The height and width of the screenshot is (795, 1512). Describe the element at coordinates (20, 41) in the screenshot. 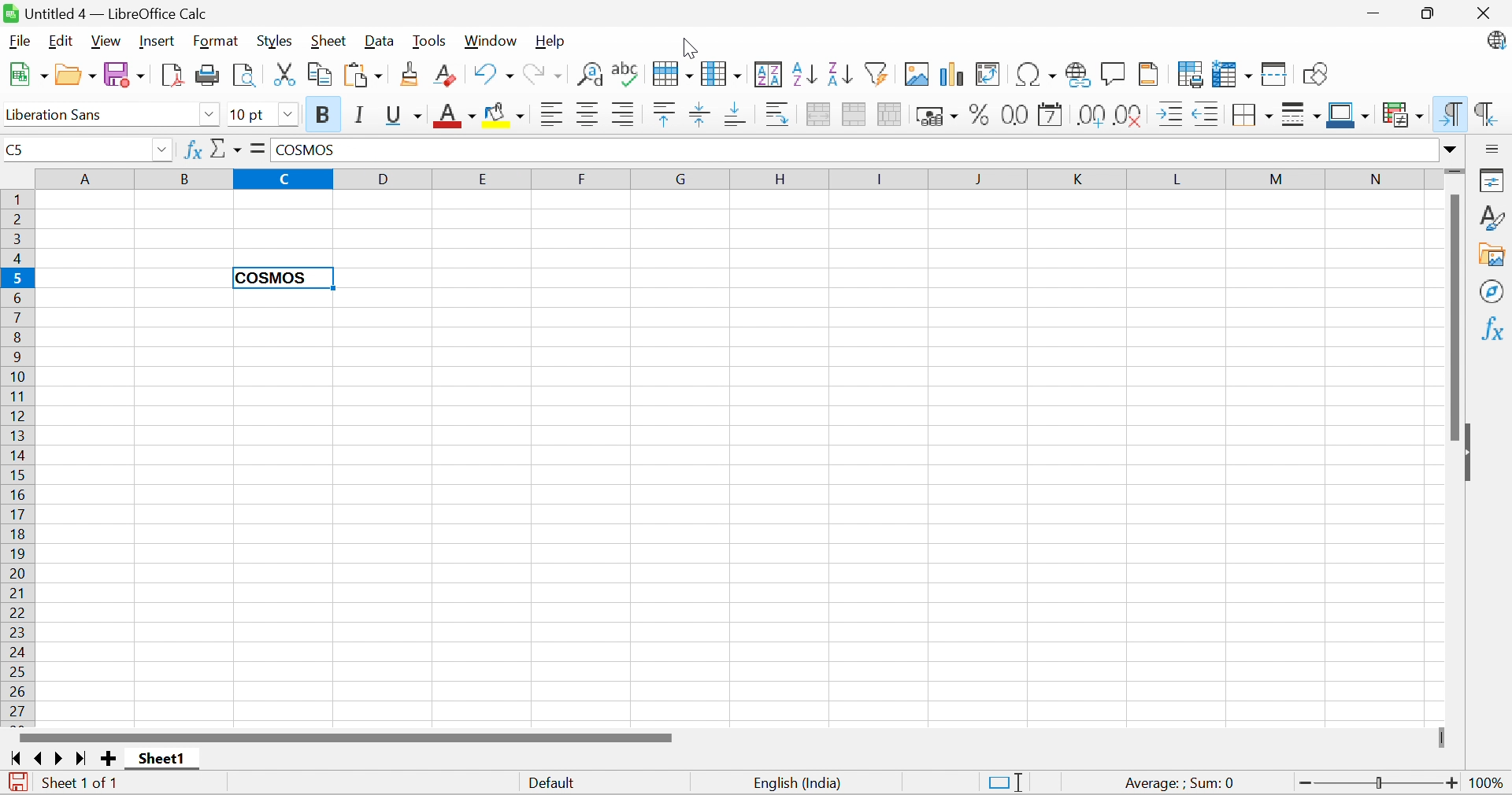

I see `File` at that location.